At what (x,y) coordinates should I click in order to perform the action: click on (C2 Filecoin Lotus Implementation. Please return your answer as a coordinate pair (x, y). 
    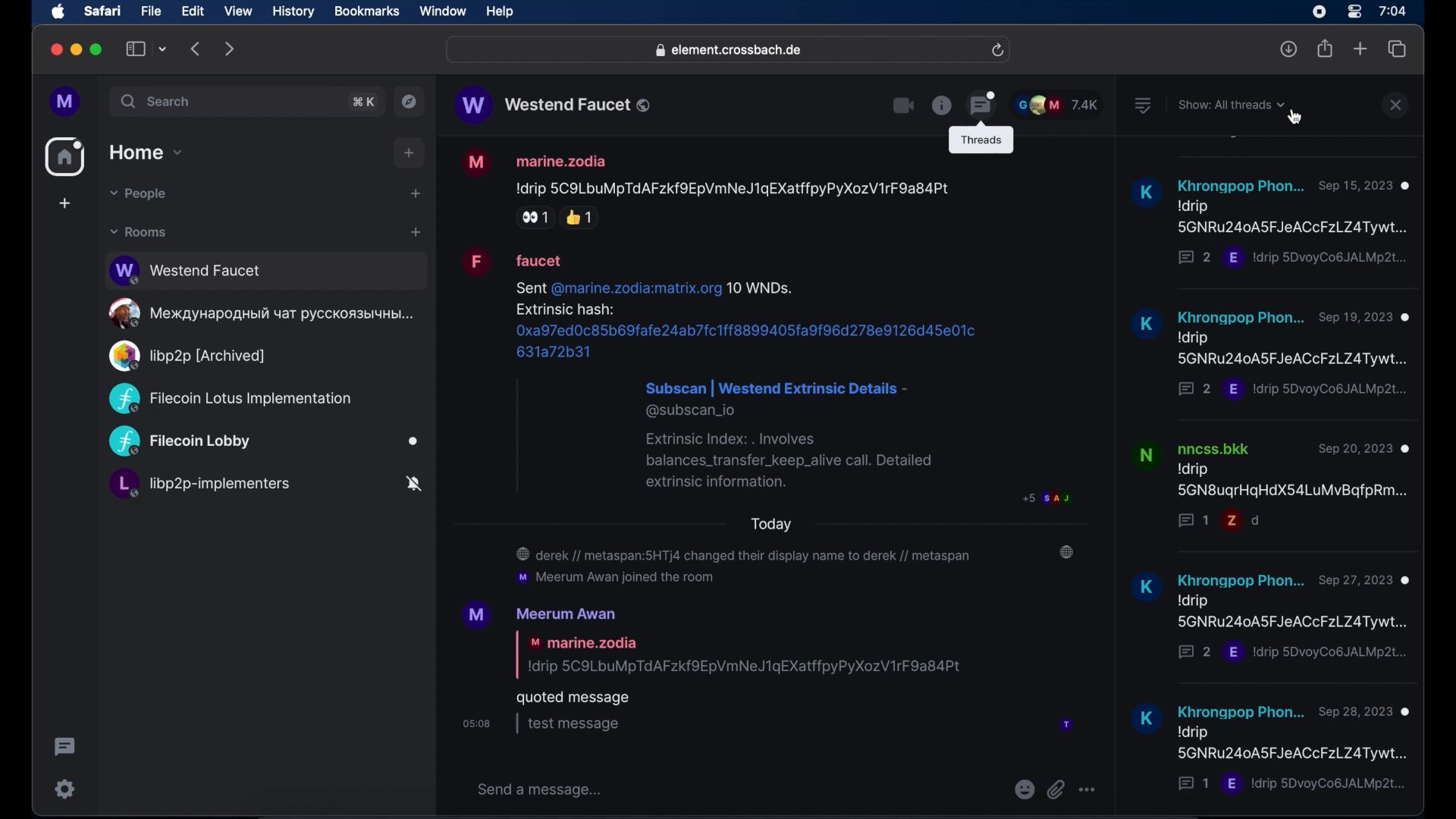
    Looking at the image, I should click on (243, 399).